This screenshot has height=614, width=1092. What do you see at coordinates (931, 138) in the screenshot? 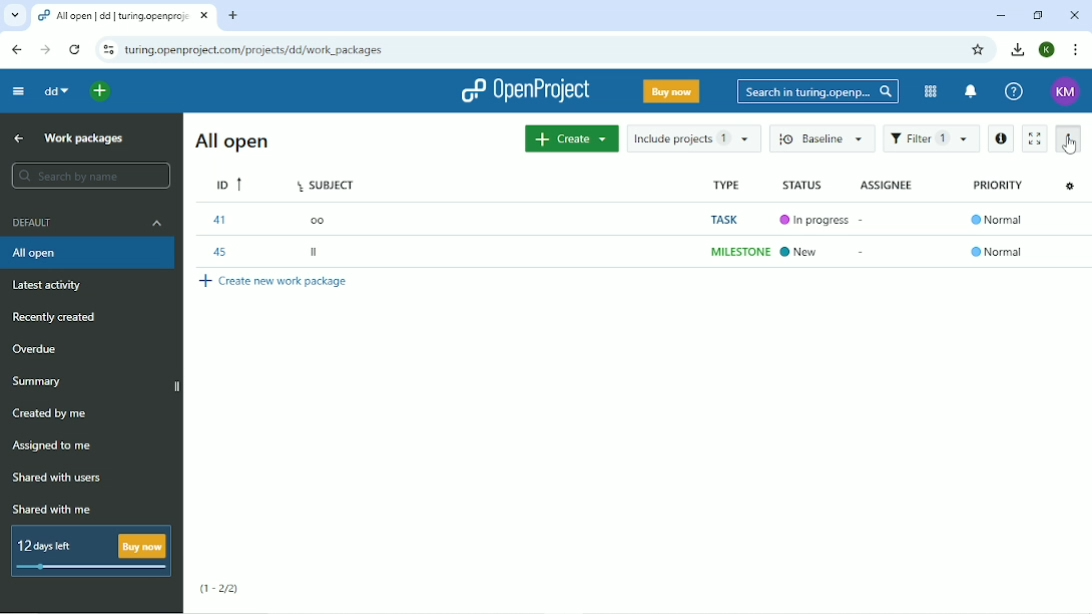
I see `Filter 1` at bounding box center [931, 138].